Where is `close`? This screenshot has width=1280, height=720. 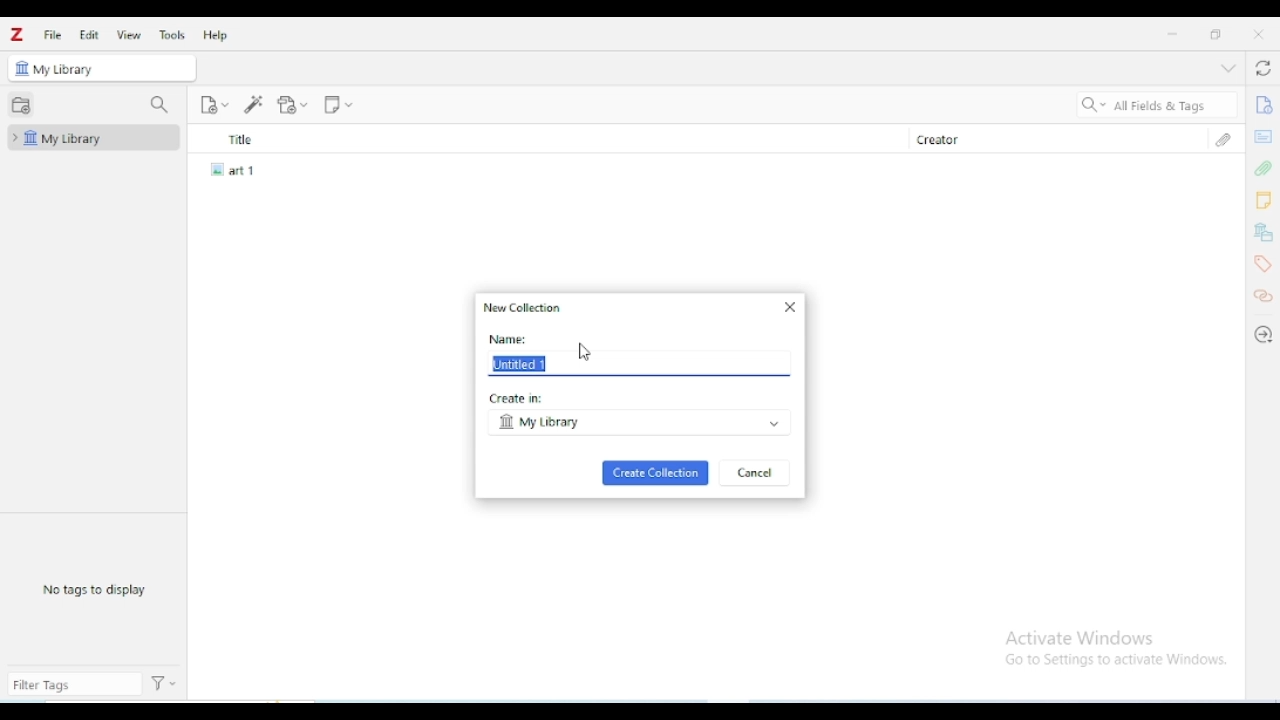
close is located at coordinates (1258, 34).